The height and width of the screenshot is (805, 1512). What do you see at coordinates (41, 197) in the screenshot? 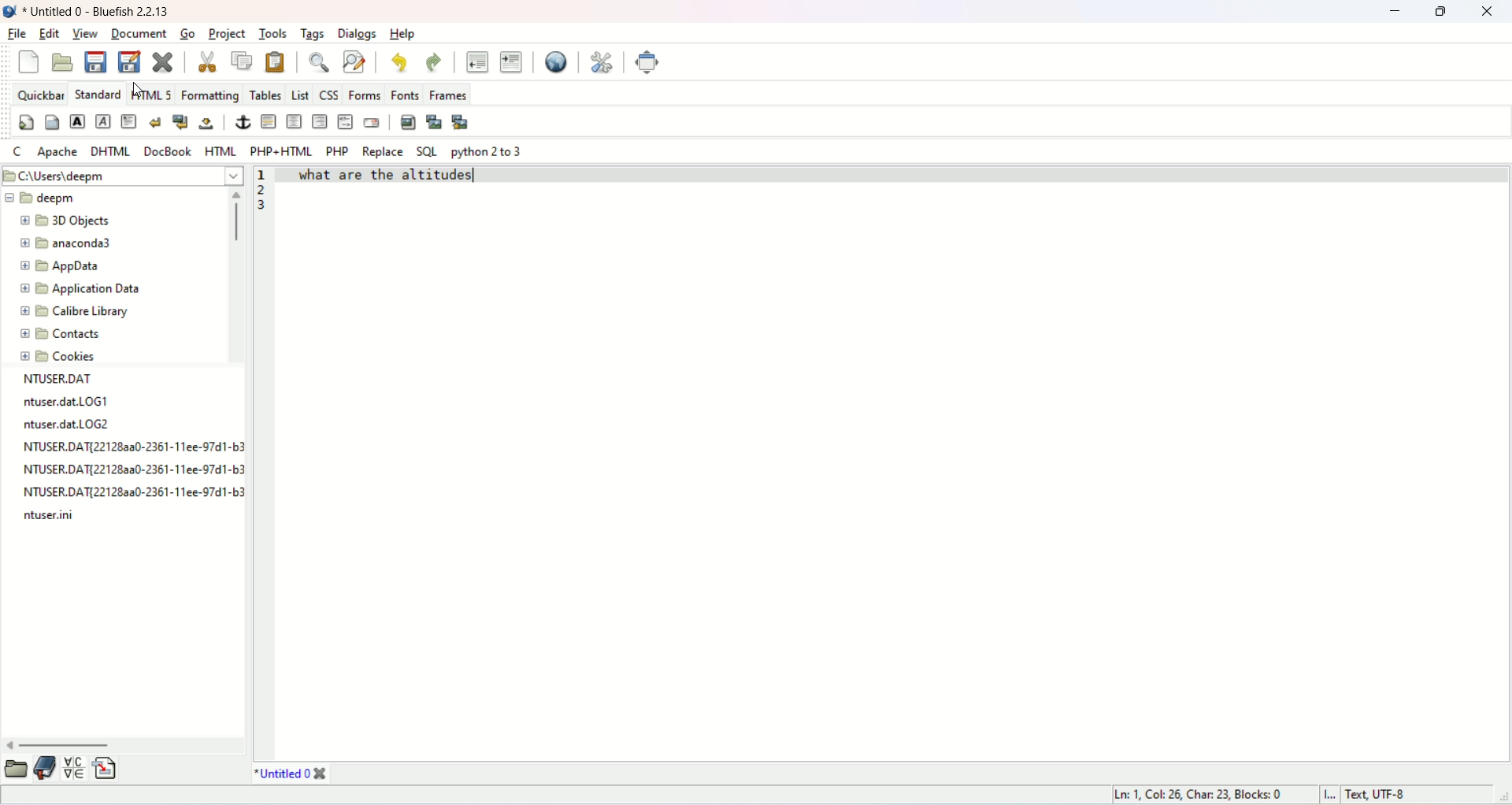
I see `deepm` at bounding box center [41, 197].